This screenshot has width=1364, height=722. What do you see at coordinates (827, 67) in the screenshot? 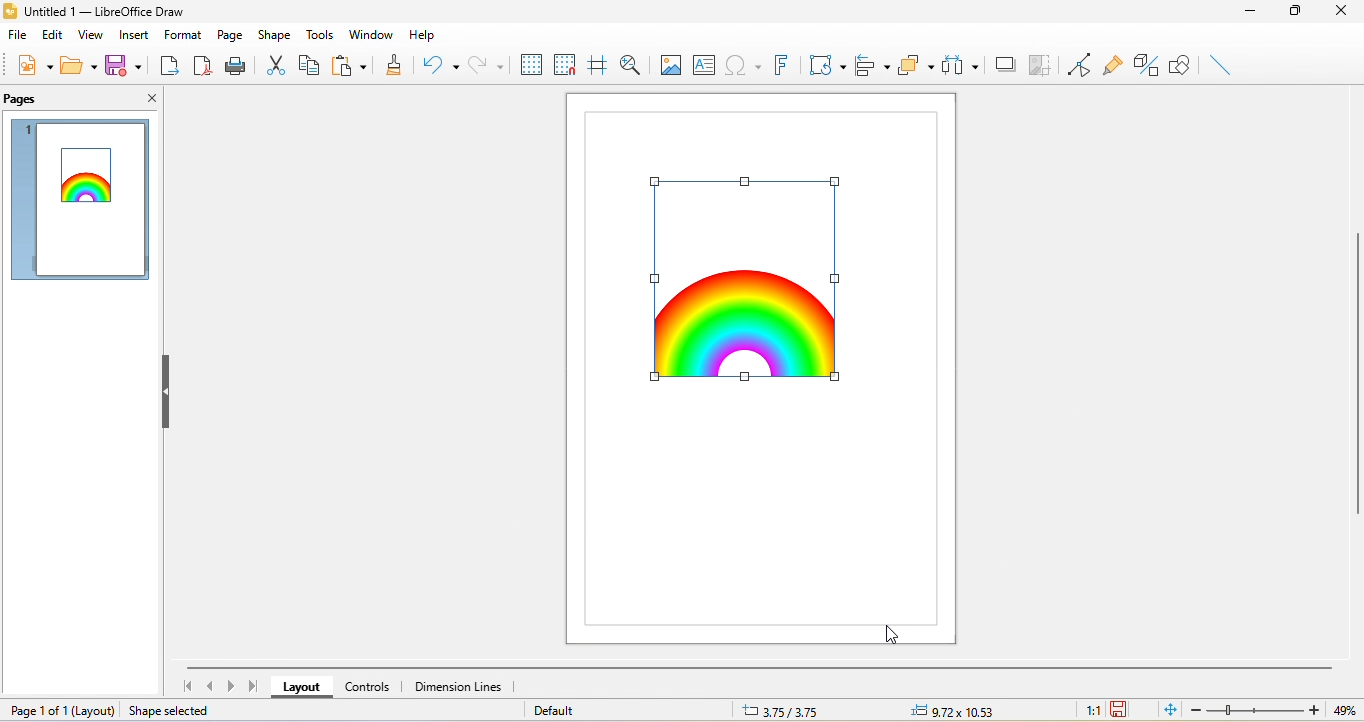
I see `transformation` at bounding box center [827, 67].